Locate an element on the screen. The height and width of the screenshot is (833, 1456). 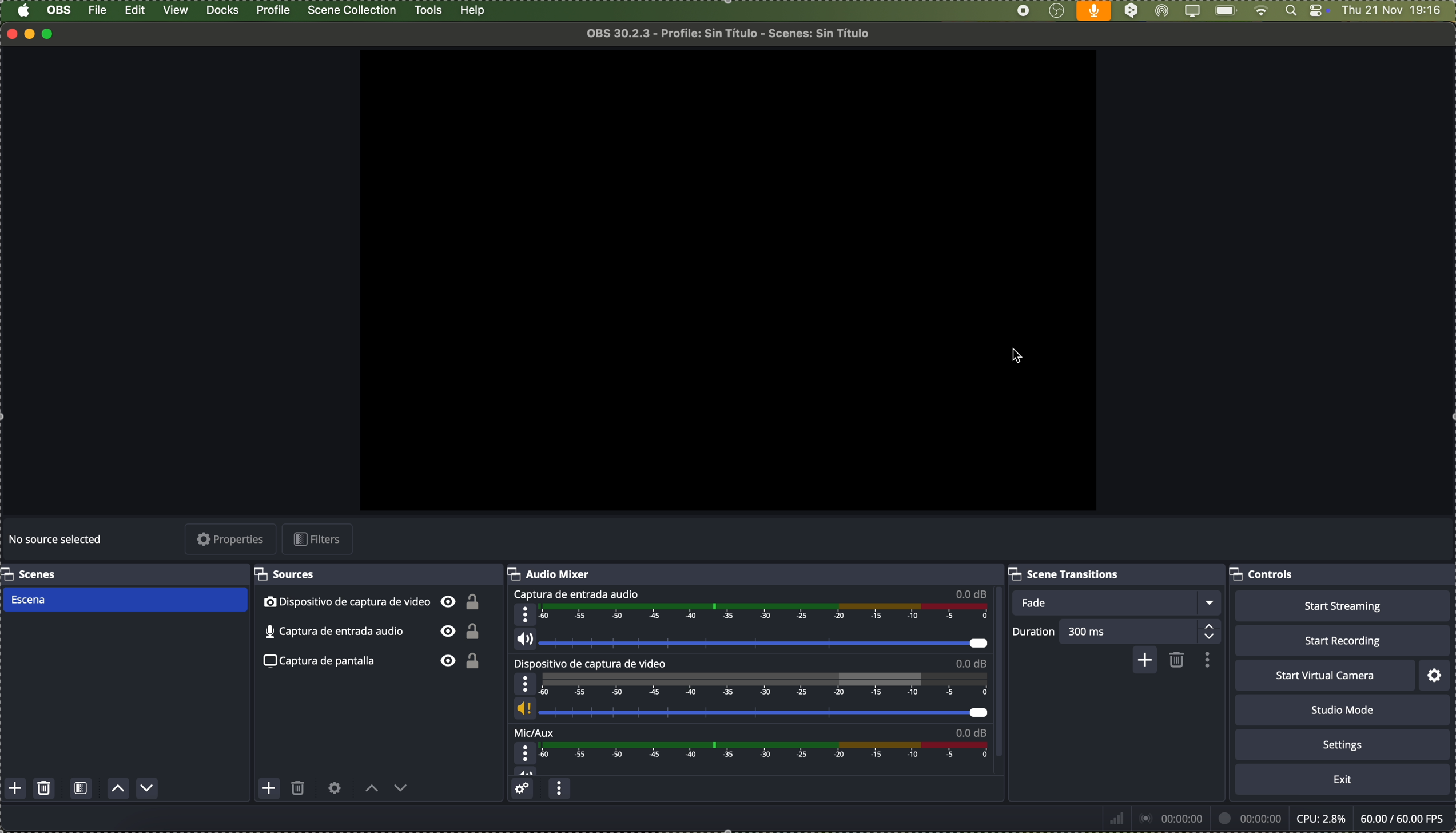
settings is located at coordinates (1343, 744).